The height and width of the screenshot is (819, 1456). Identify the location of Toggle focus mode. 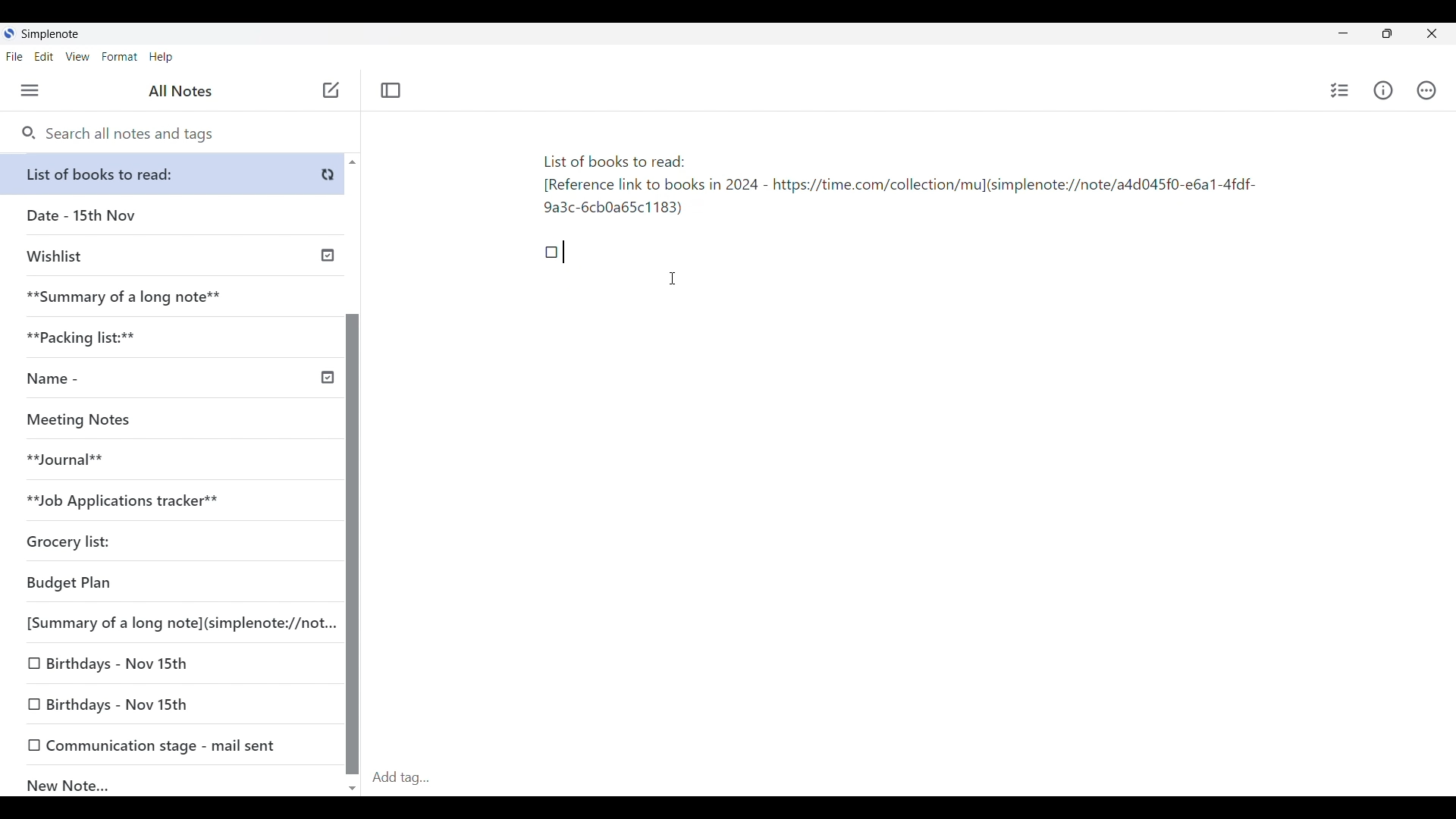
(391, 90).